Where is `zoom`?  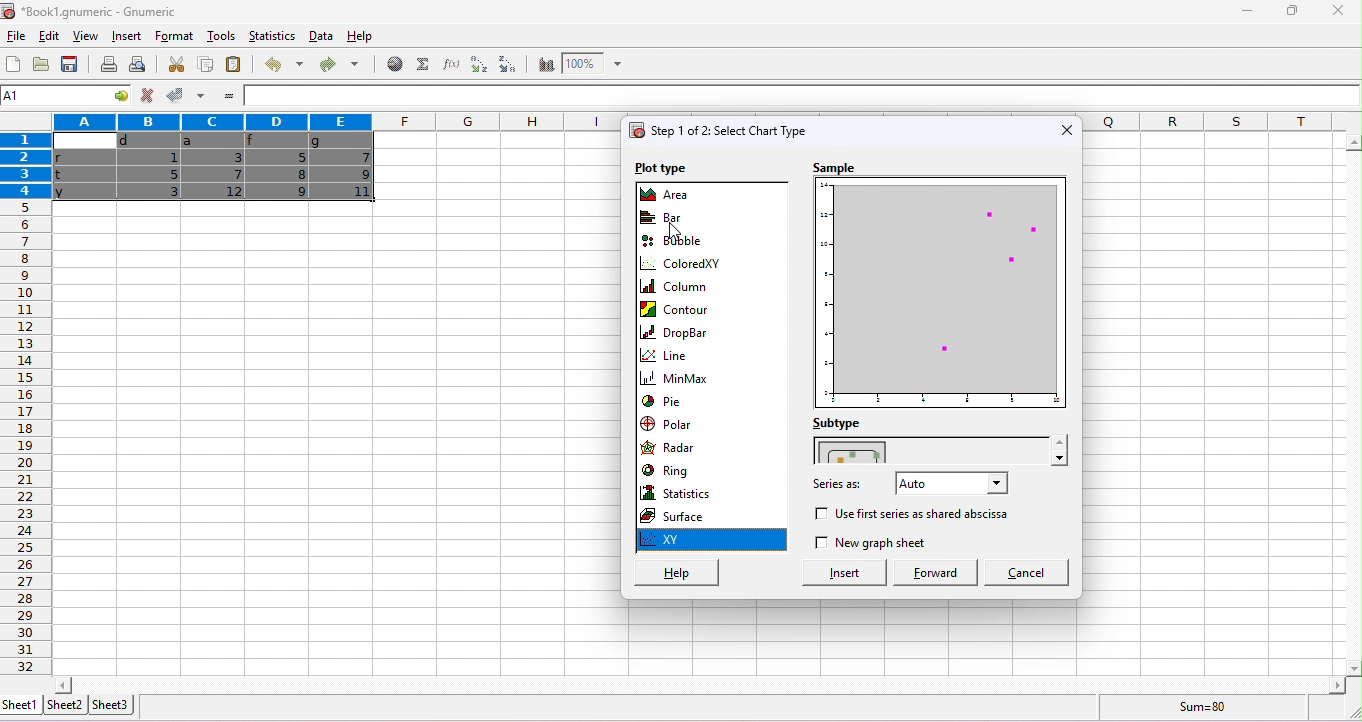
zoom is located at coordinates (593, 63).